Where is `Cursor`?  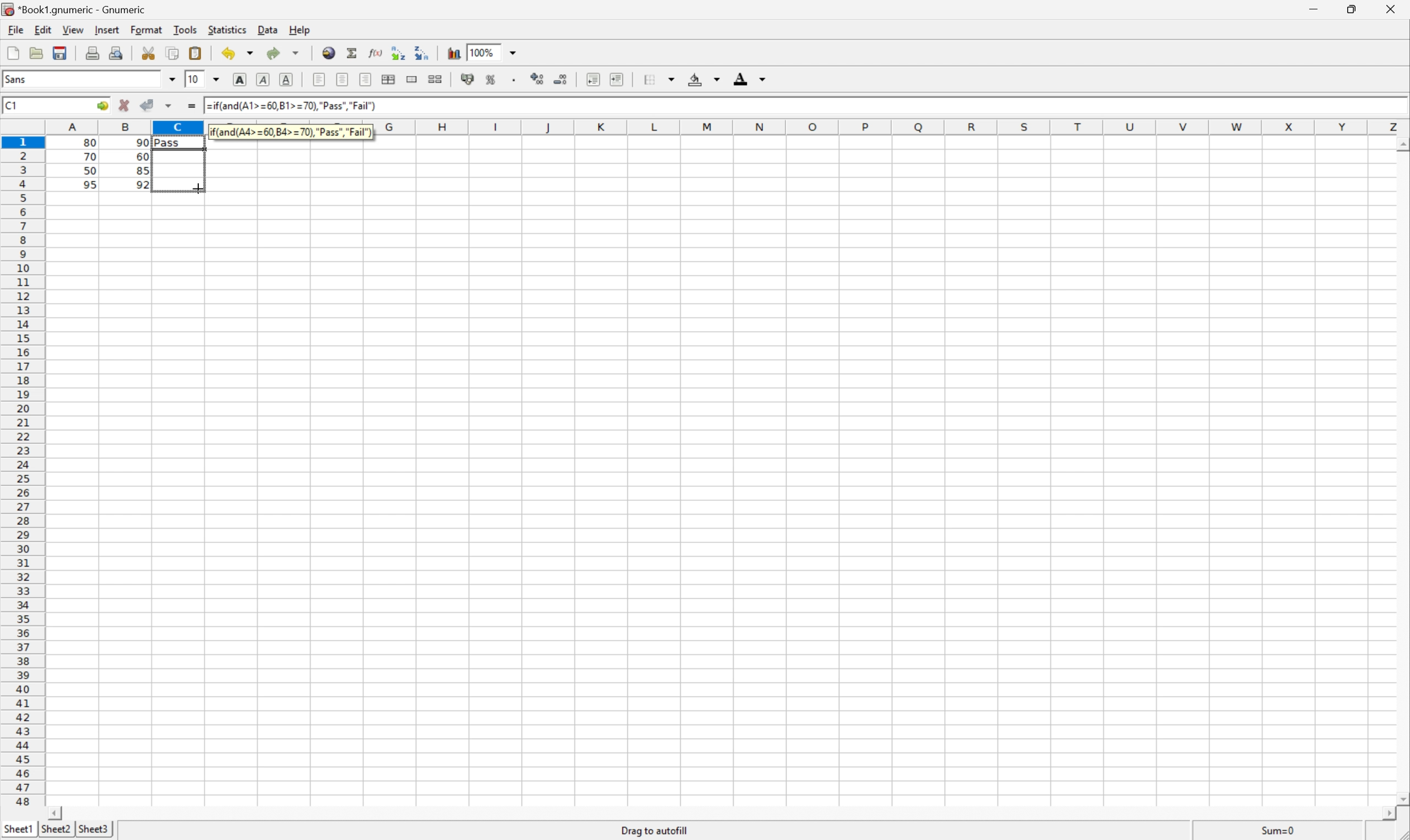 Cursor is located at coordinates (196, 187).